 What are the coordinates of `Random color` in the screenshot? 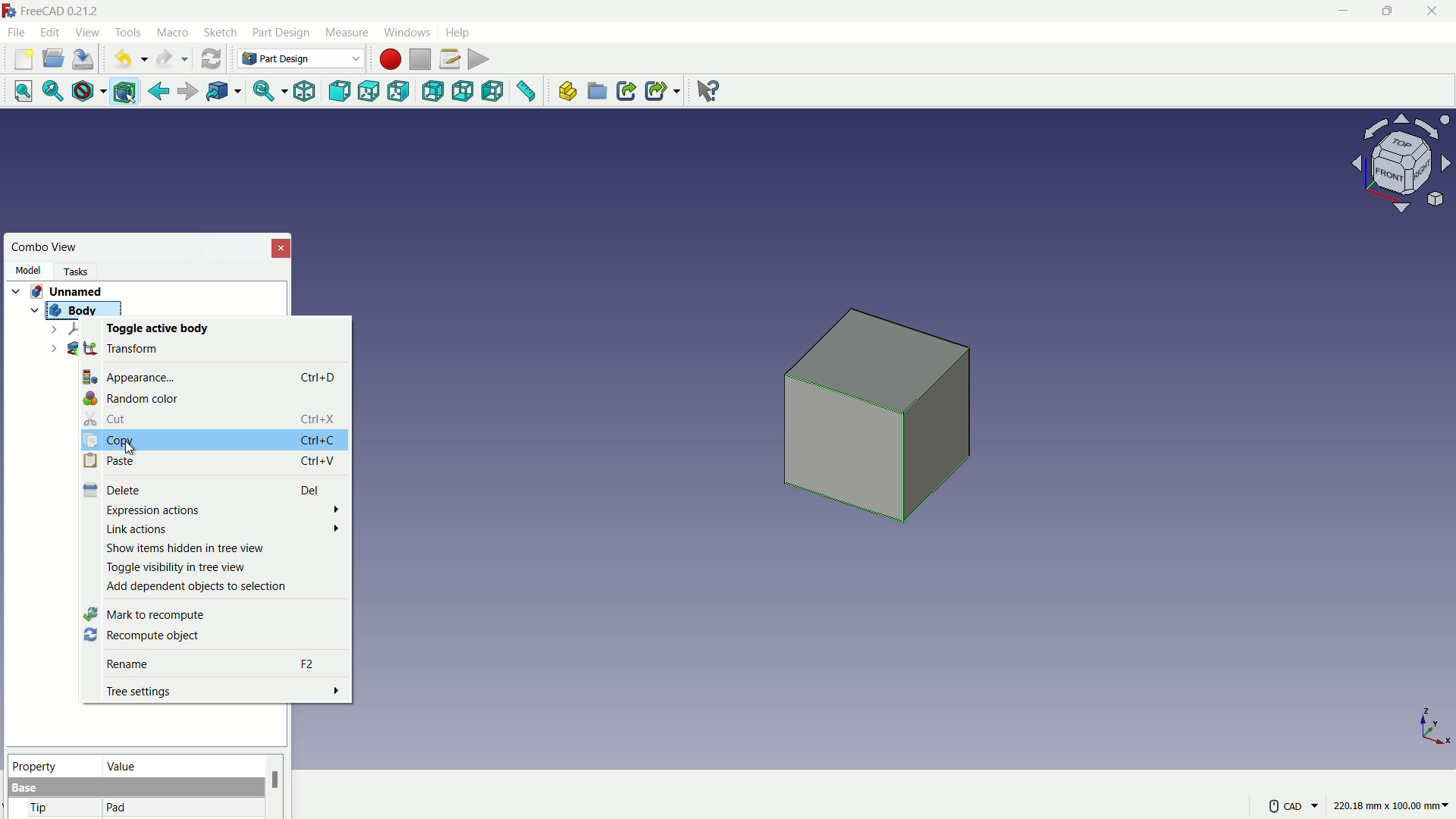 It's located at (132, 398).